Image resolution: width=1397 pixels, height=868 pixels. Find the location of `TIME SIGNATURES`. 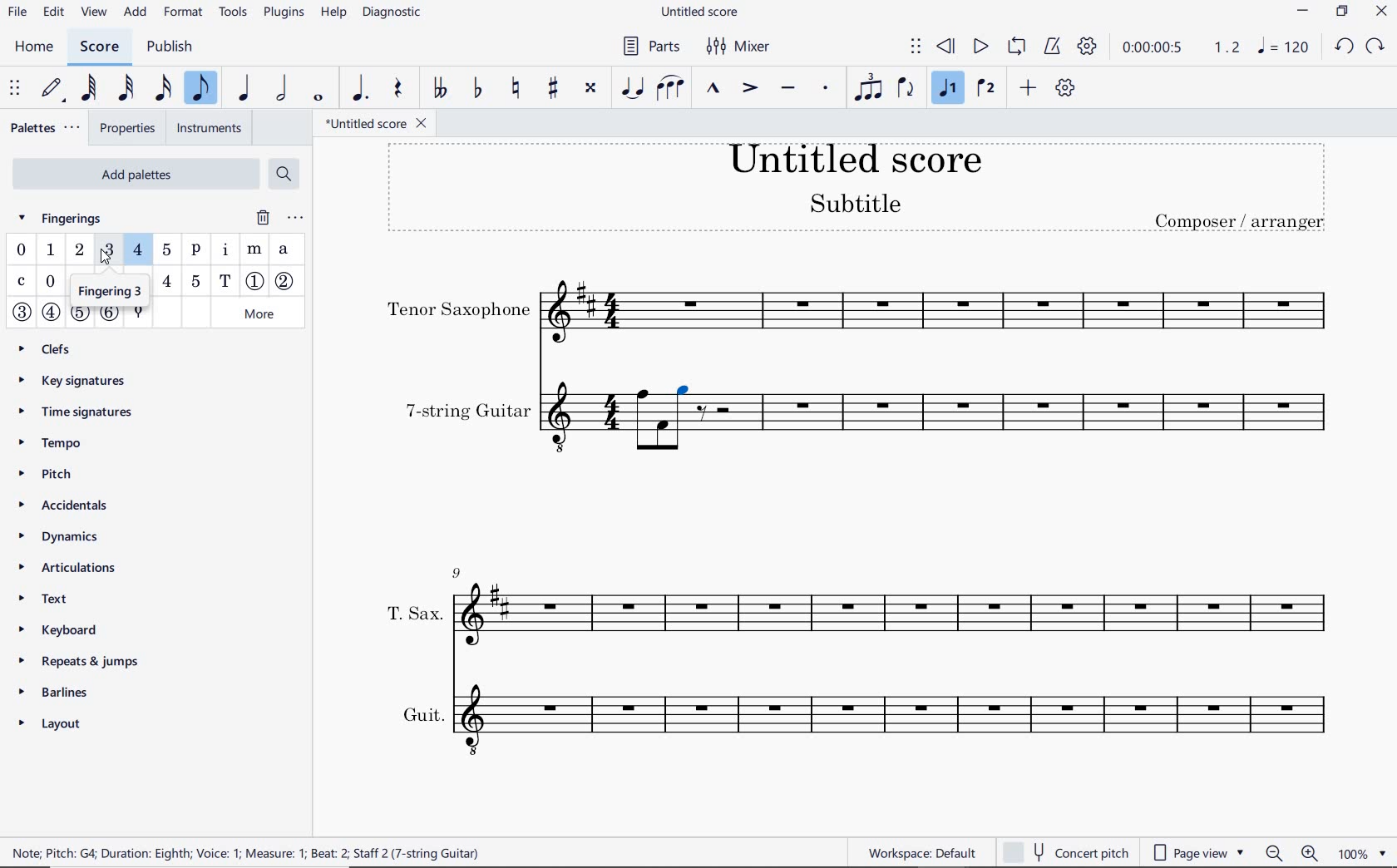

TIME SIGNATURES is located at coordinates (81, 413).